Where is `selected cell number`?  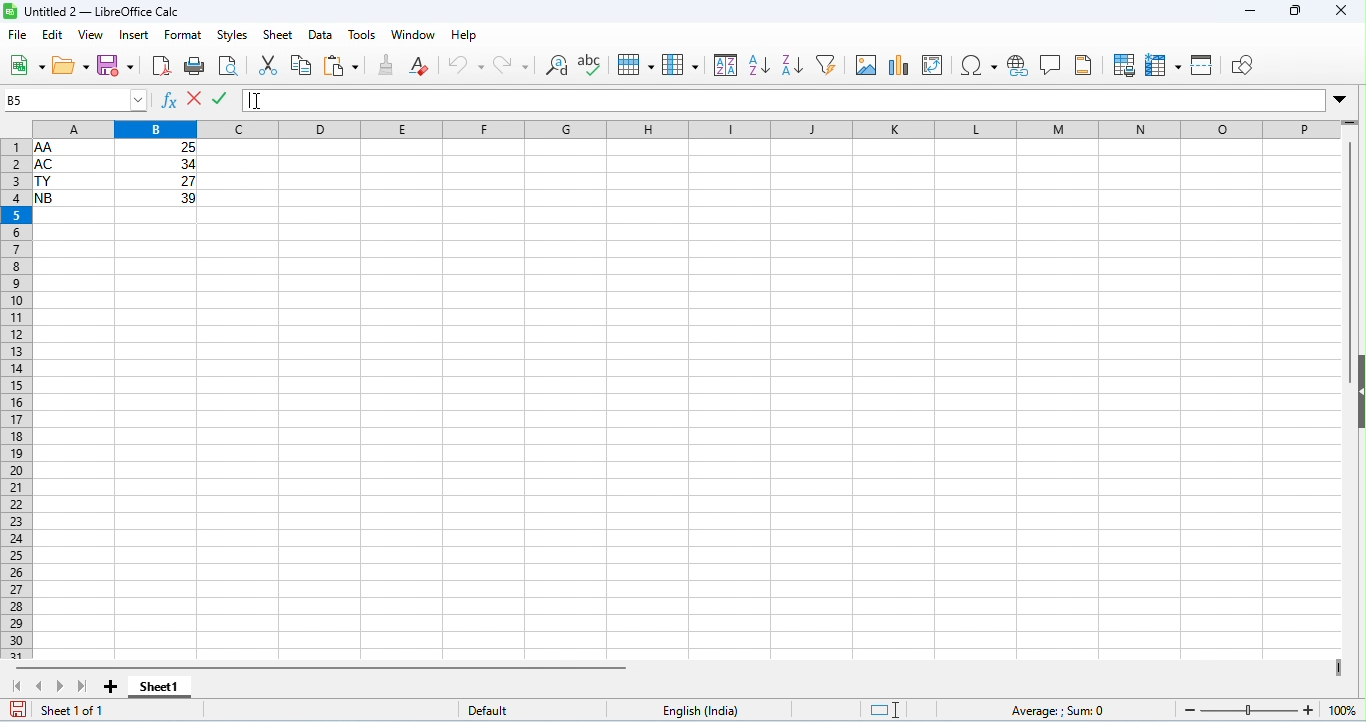
selected cell number is located at coordinates (75, 99).